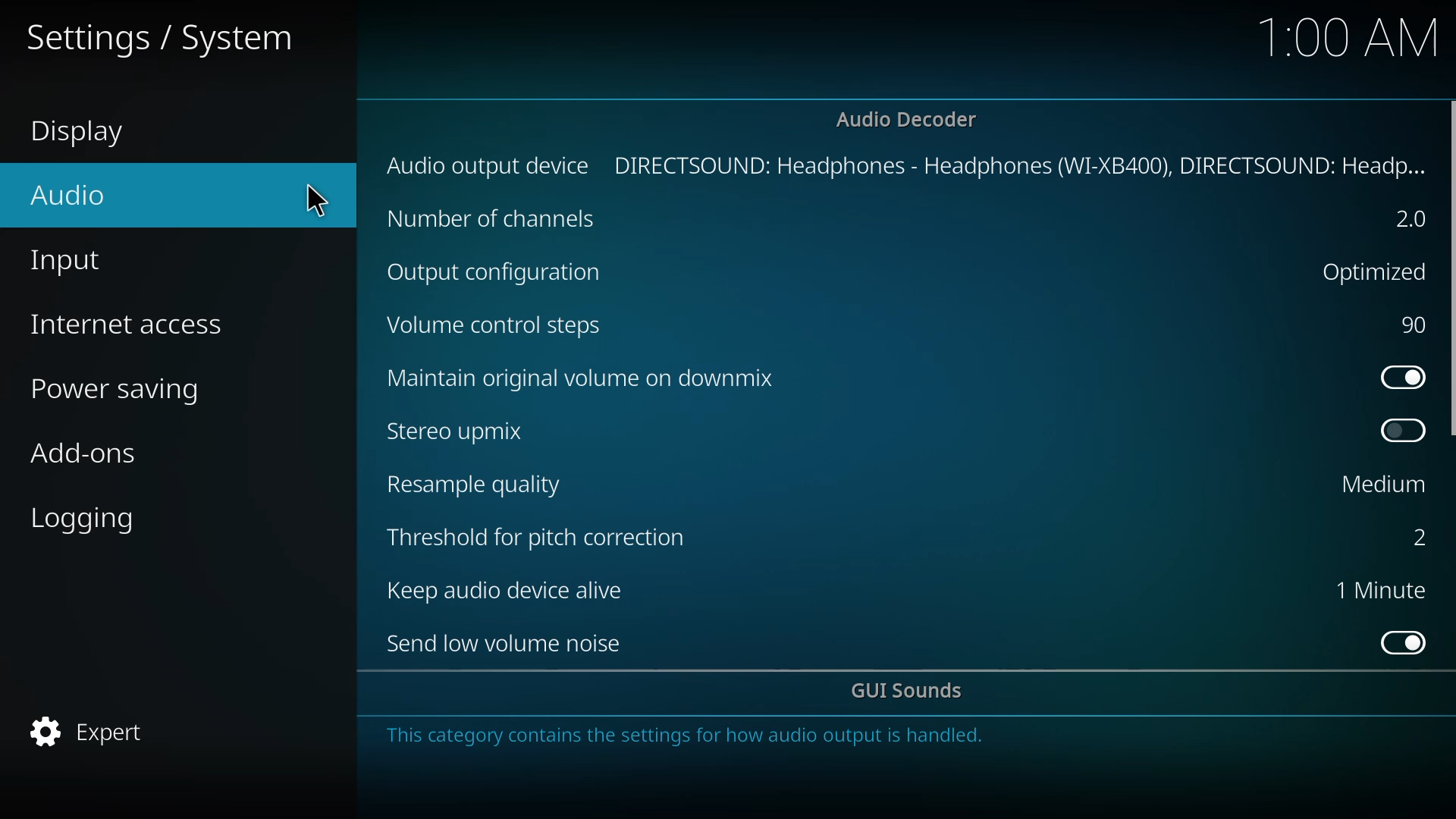 This screenshot has width=1456, height=819. What do you see at coordinates (173, 39) in the screenshot?
I see `settings` at bounding box center [173, 39].